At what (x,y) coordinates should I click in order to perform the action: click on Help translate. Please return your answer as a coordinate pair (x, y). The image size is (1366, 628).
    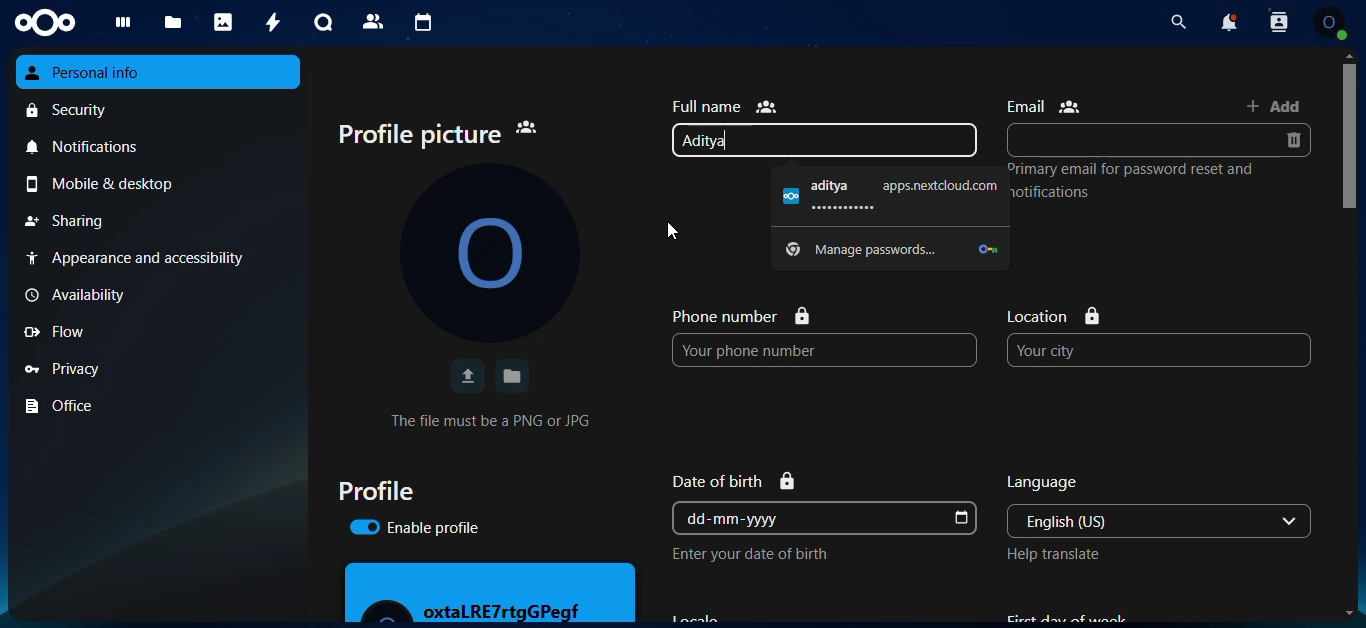
    Looking at the image, I should click on (1053, 554).